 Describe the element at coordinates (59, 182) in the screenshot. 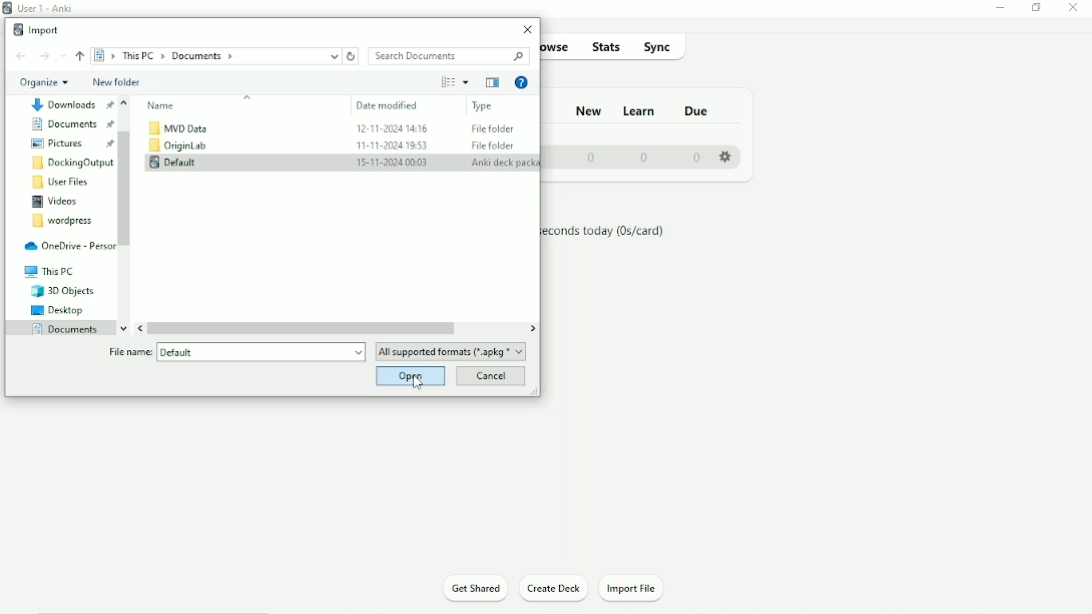

I see `User Files` at that location.